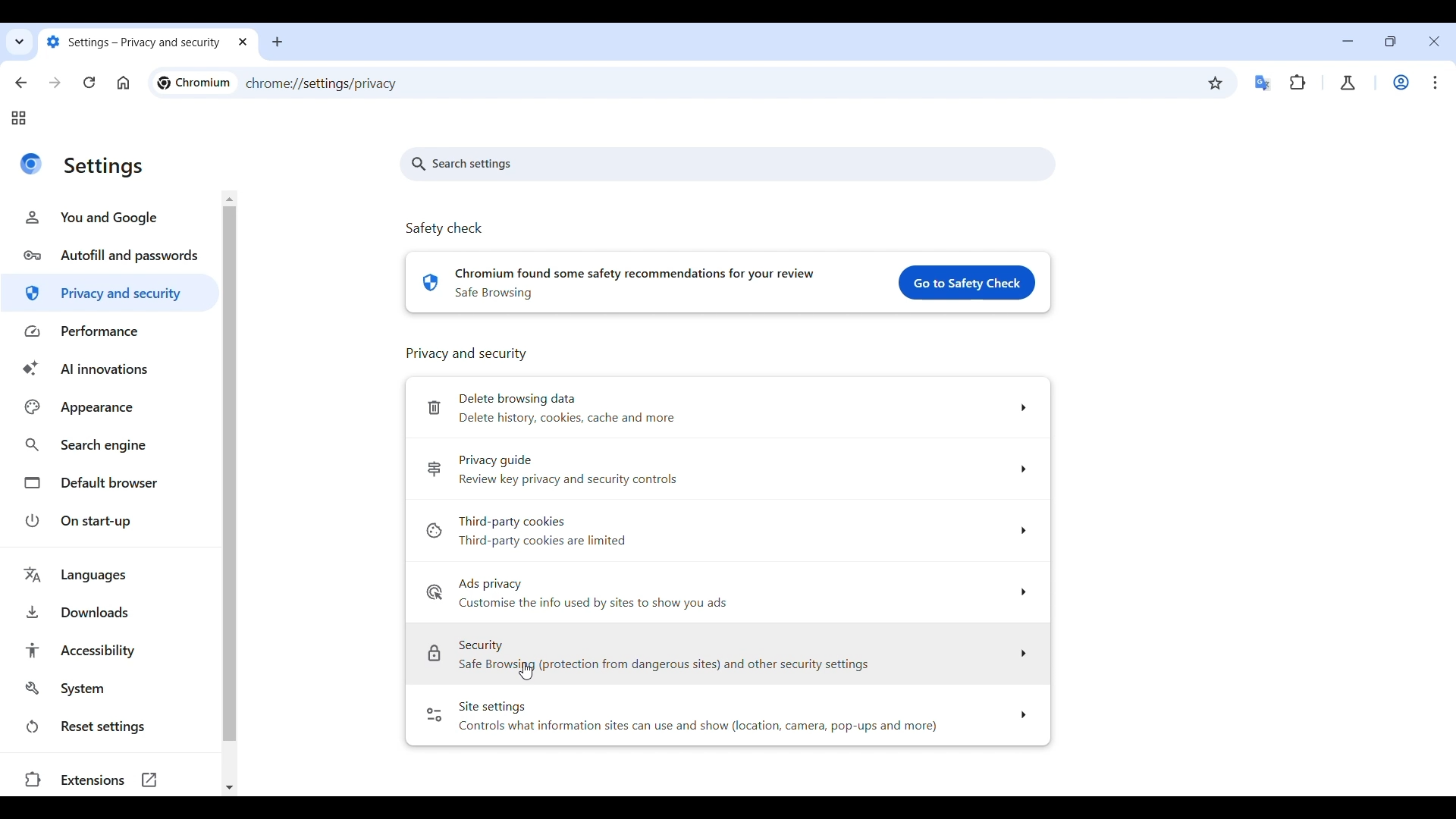 The image size is (1456, 819). I want to click on Tab groups, so click(18, 118).